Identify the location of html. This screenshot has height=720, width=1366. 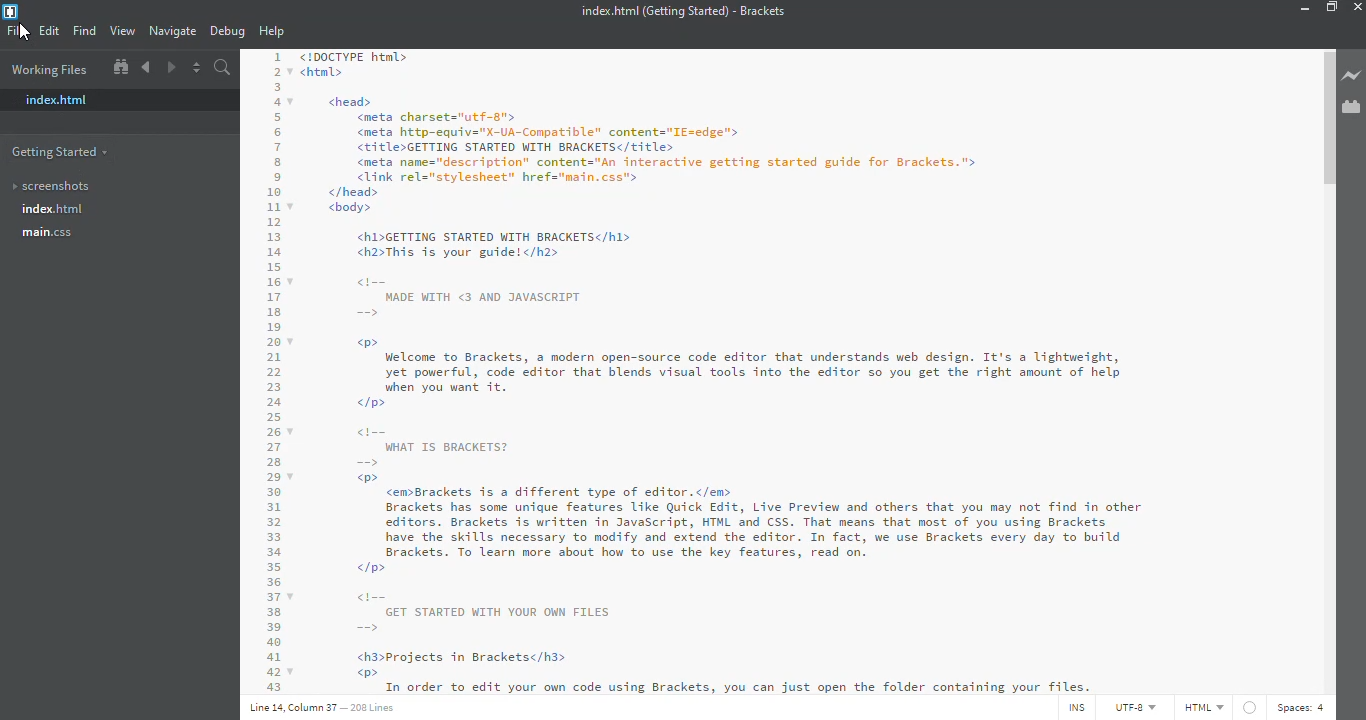
(1204, 708).